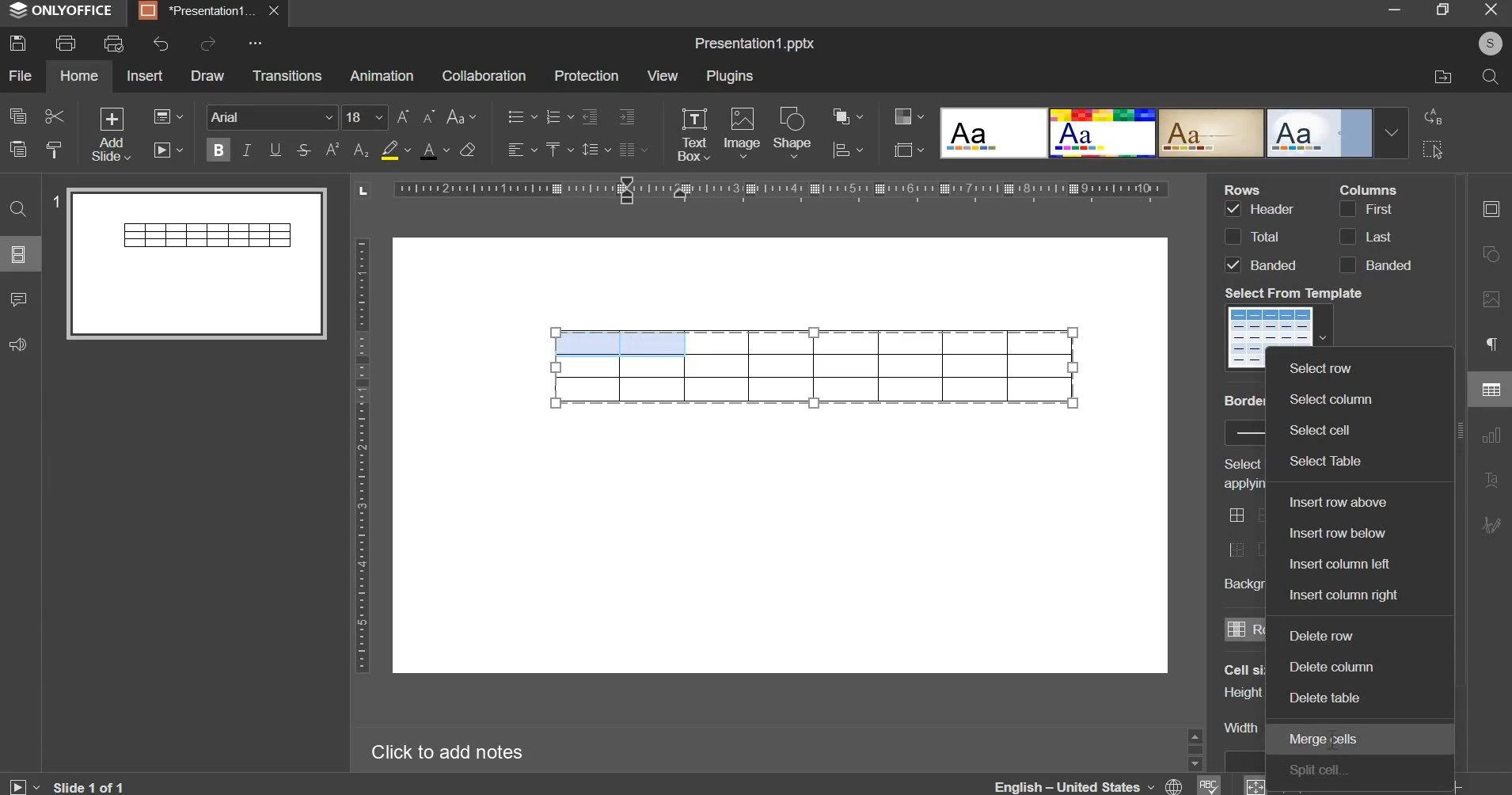 The image size is (1512, 795). I want to click on text color, so click(434, 150).